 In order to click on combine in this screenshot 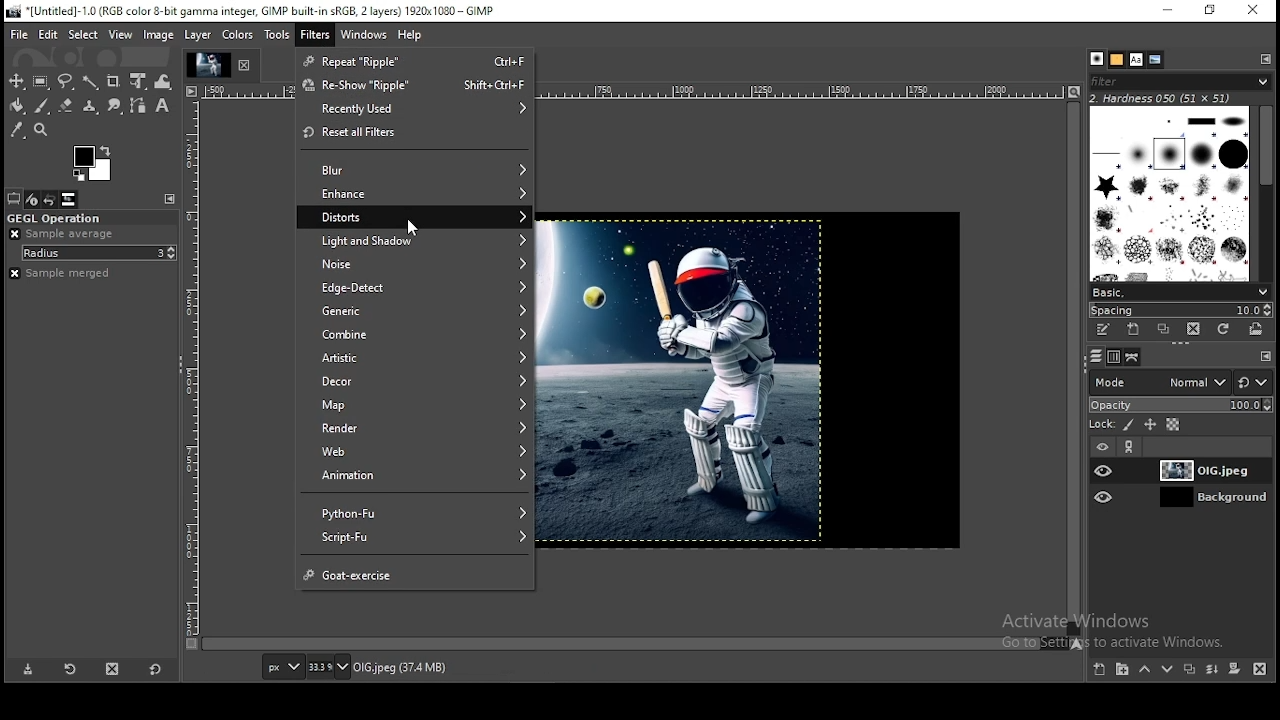, I will do `click(424, 334)`.